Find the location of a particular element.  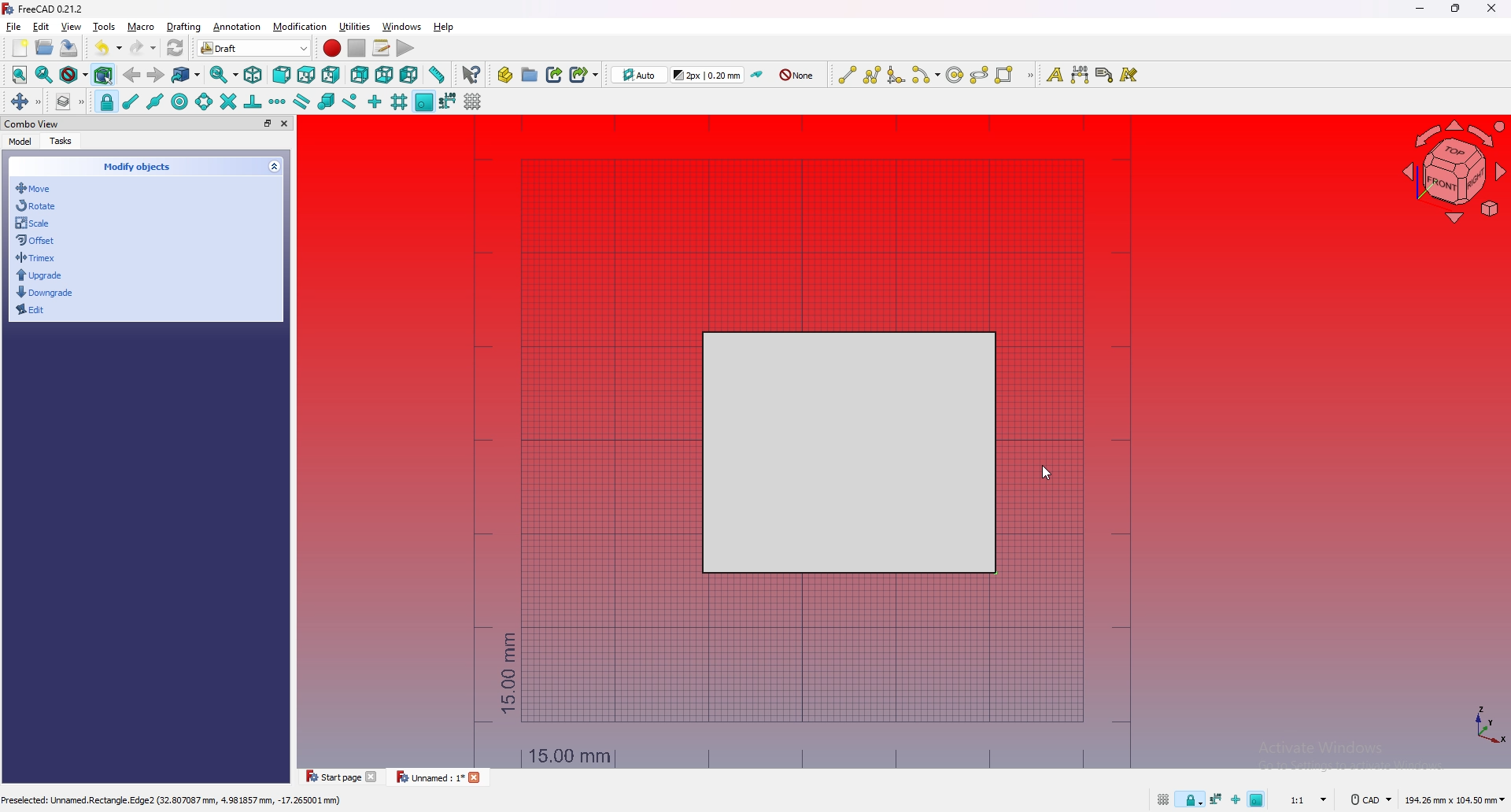

fit all selection is located at coordinates (43, 75).